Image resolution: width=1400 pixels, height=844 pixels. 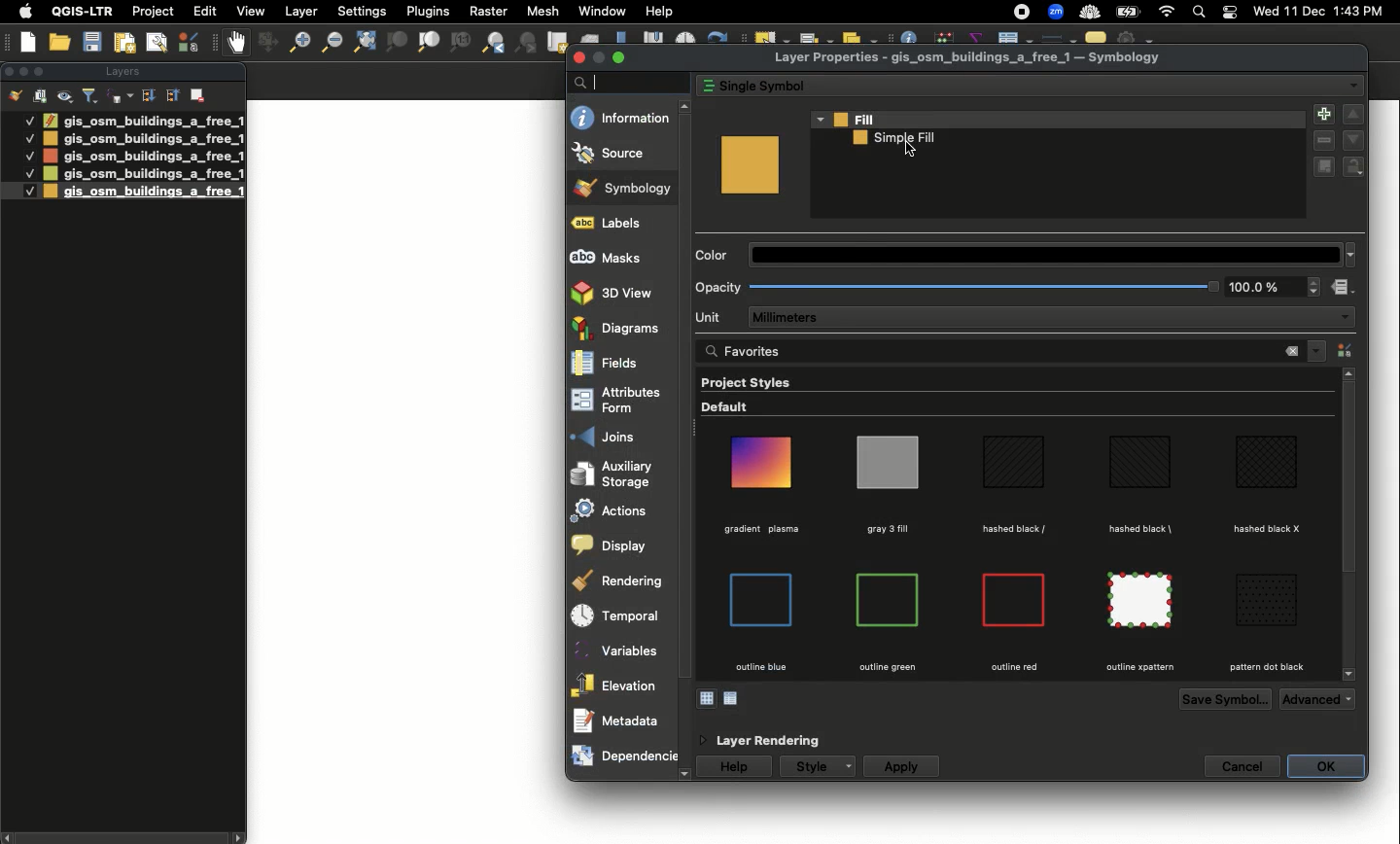 What do you see at coordinates (144, 192) in the screenshot?
I see `gis_osm_buildings_a_free_1` at bounding box center [144, 192].